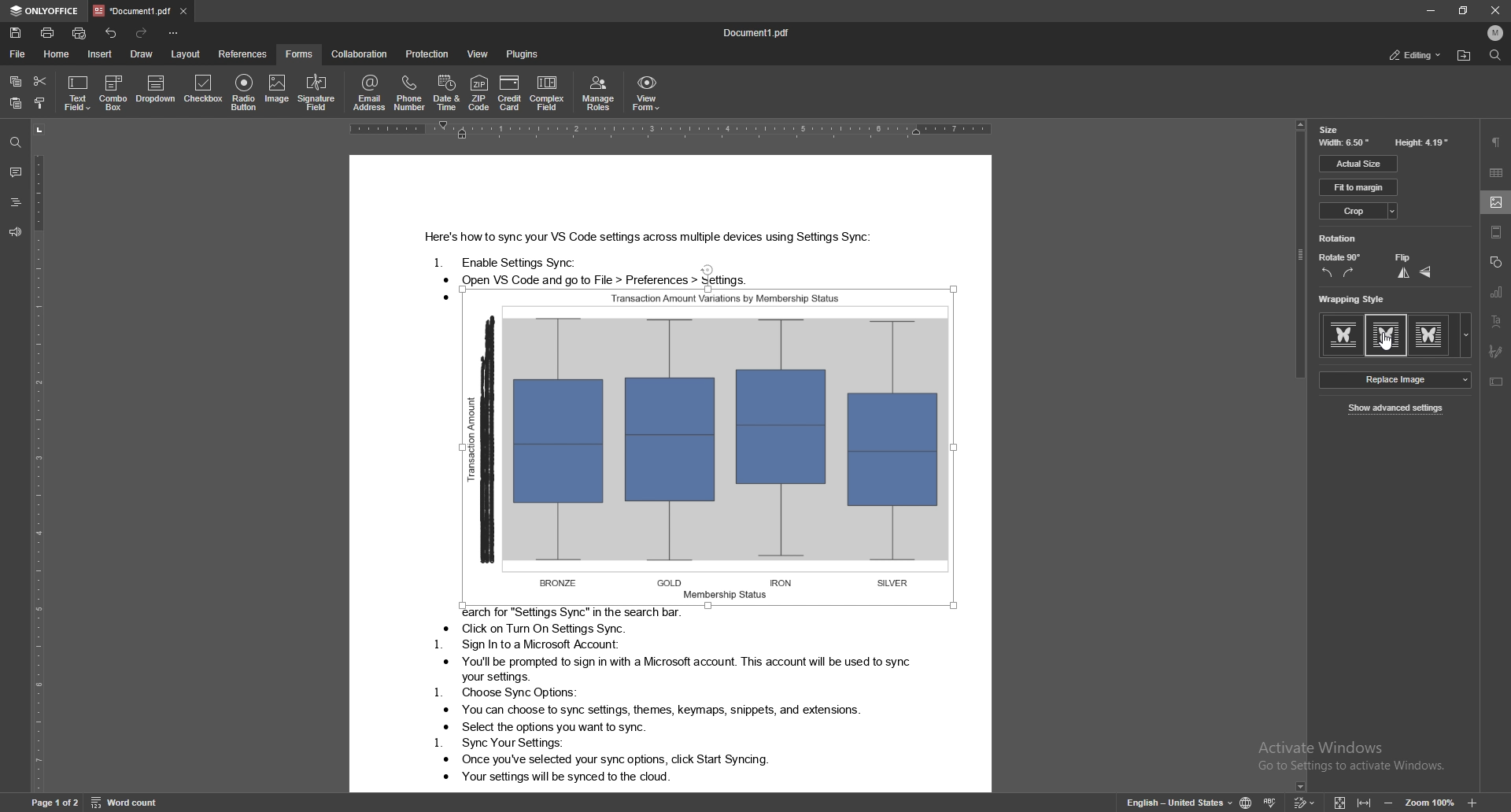 This screenshot has height=812, width=1511. I want to click on plugins, so click(524, 53).